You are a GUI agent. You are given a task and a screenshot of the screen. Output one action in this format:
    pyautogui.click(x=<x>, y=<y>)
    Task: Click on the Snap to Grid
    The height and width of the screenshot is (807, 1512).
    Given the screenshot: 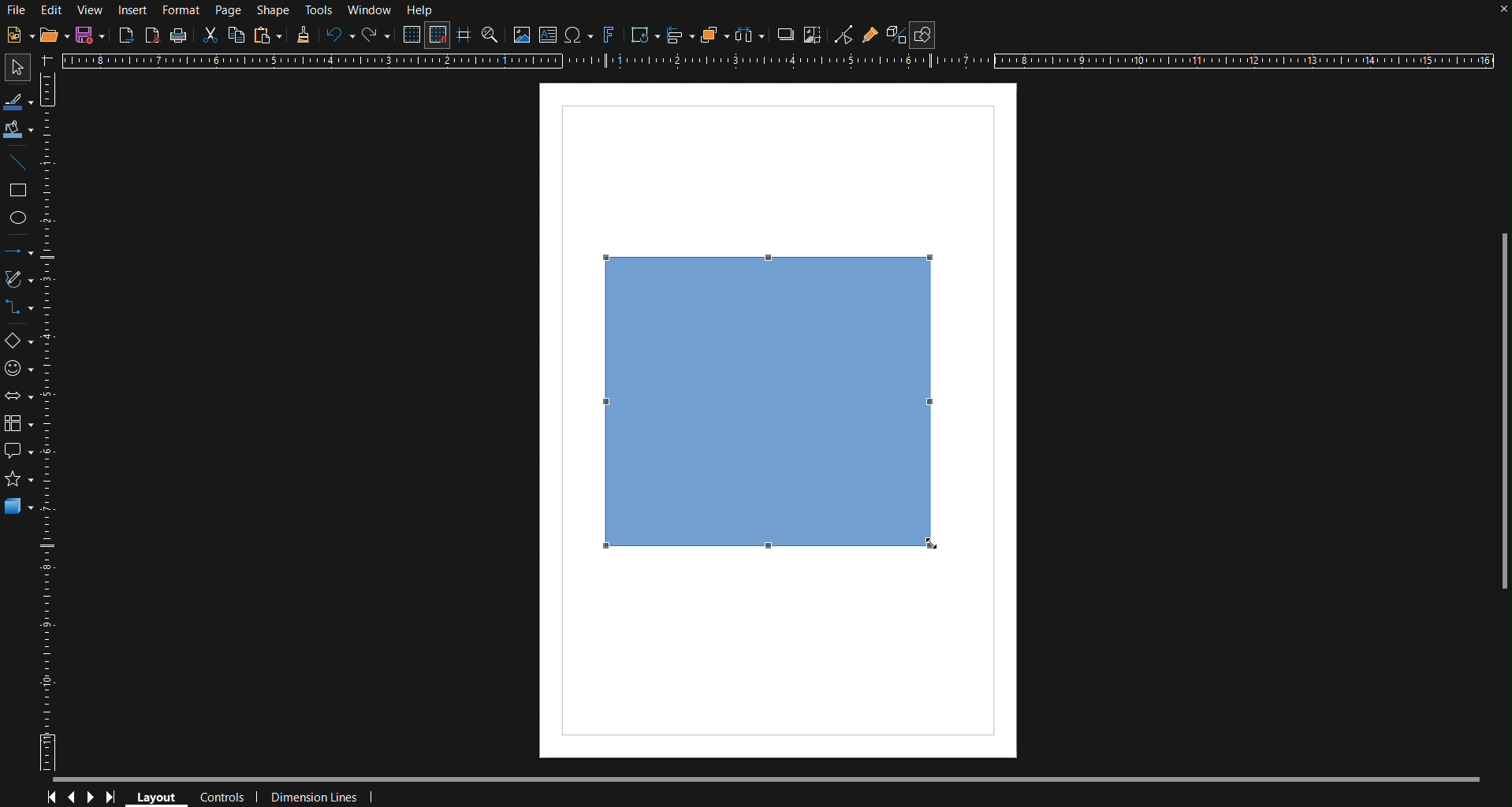 What is the action you would take?
    pyautogui.click(x=437, y=35)
    